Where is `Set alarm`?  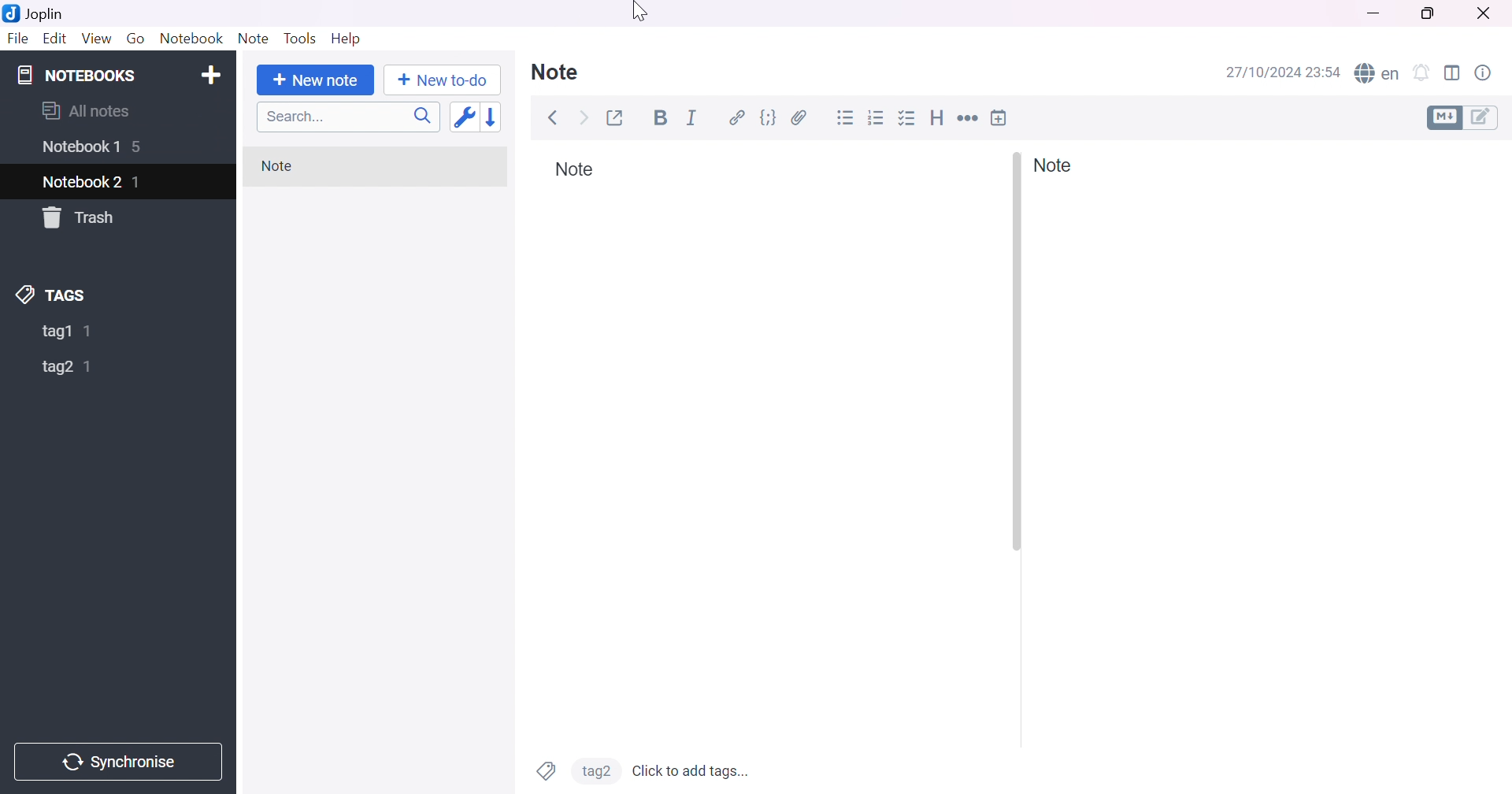 Set alarm is located at coordinates (1421, 72).